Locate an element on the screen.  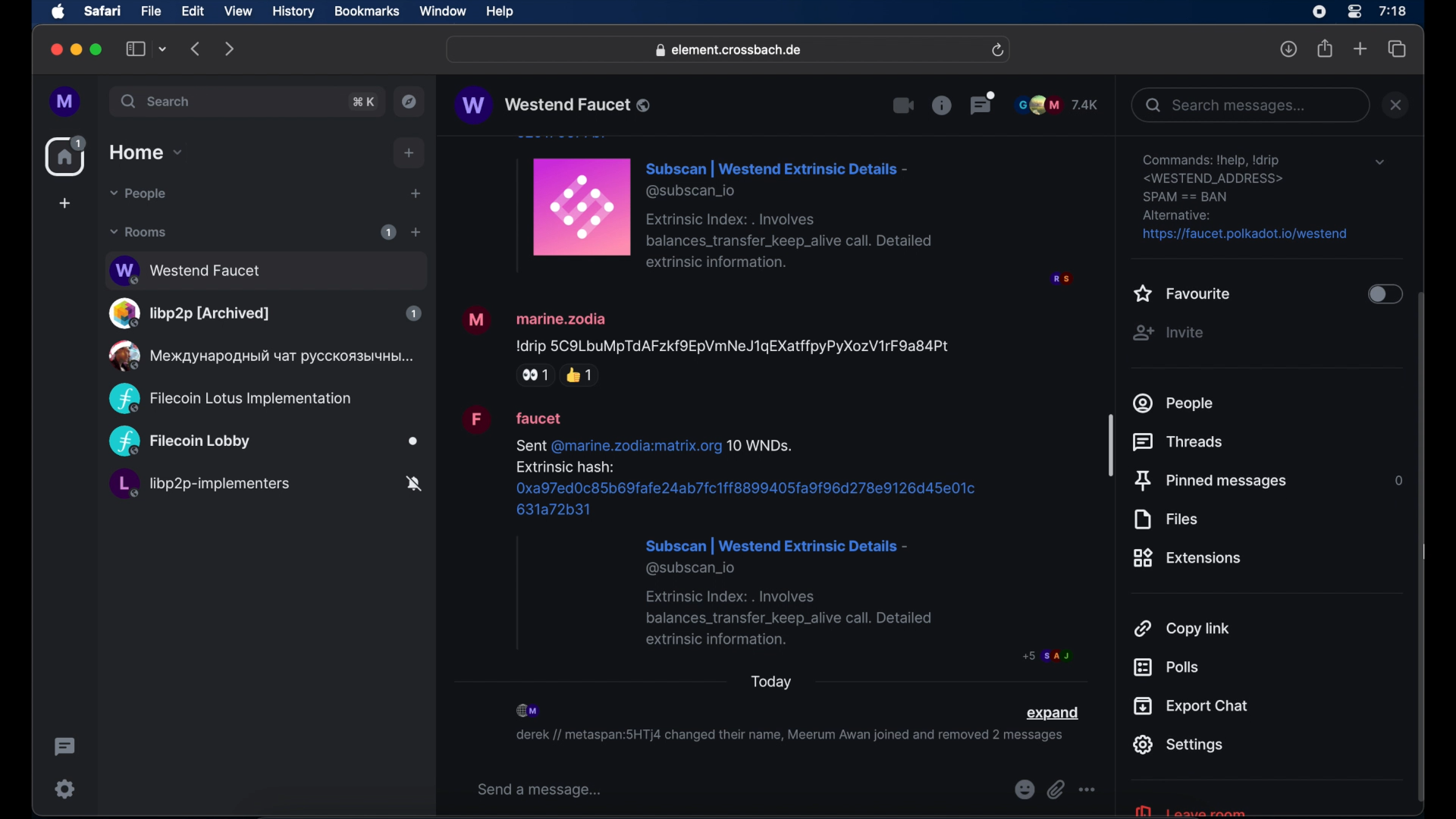
0 is located at coordinates (1396, 480).